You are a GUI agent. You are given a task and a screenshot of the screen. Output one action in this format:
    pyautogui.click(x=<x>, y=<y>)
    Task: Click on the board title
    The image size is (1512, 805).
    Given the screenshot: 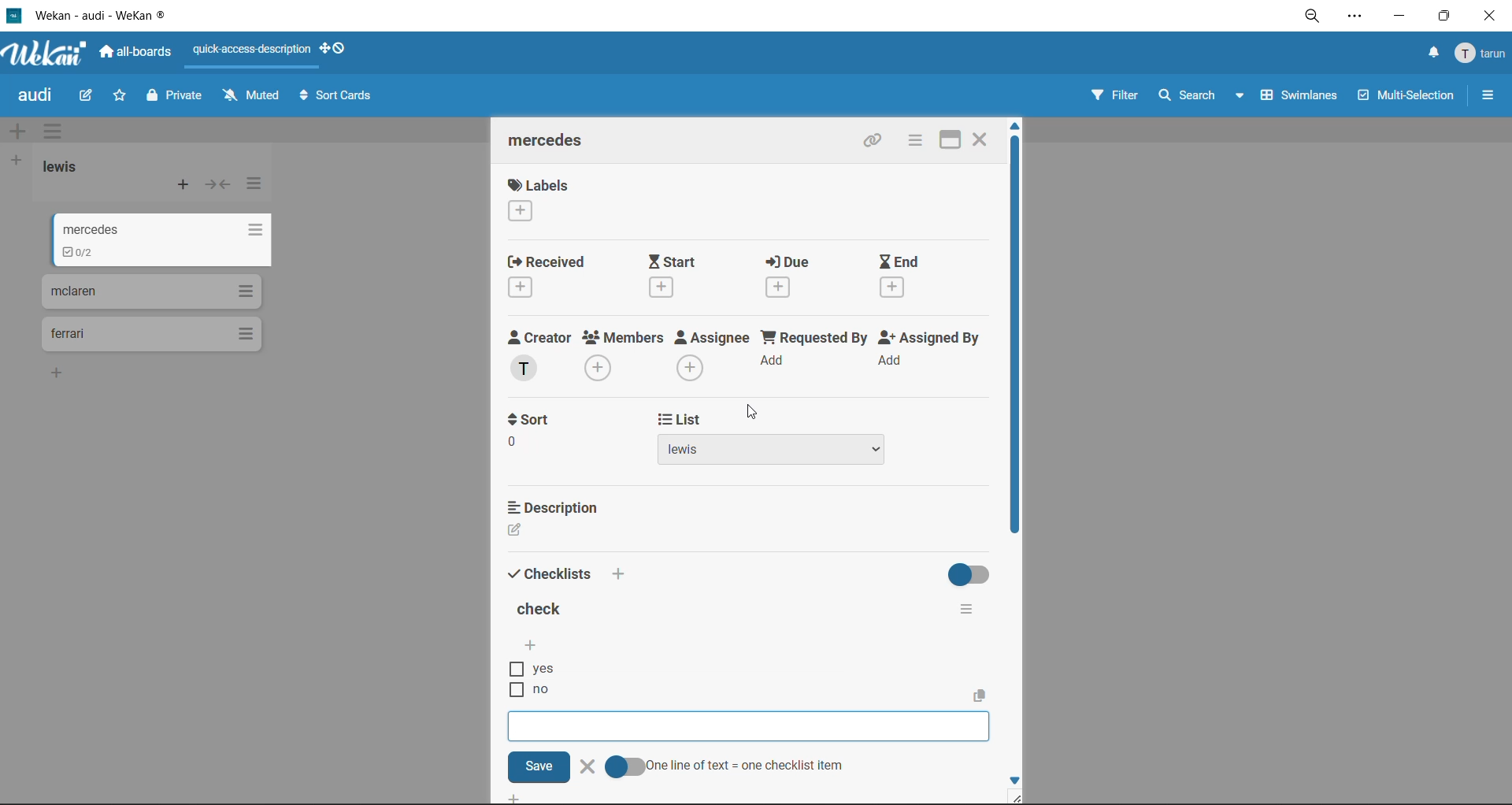 What is the action you would take?
    pyautogui.click(x=39, y=97)
    